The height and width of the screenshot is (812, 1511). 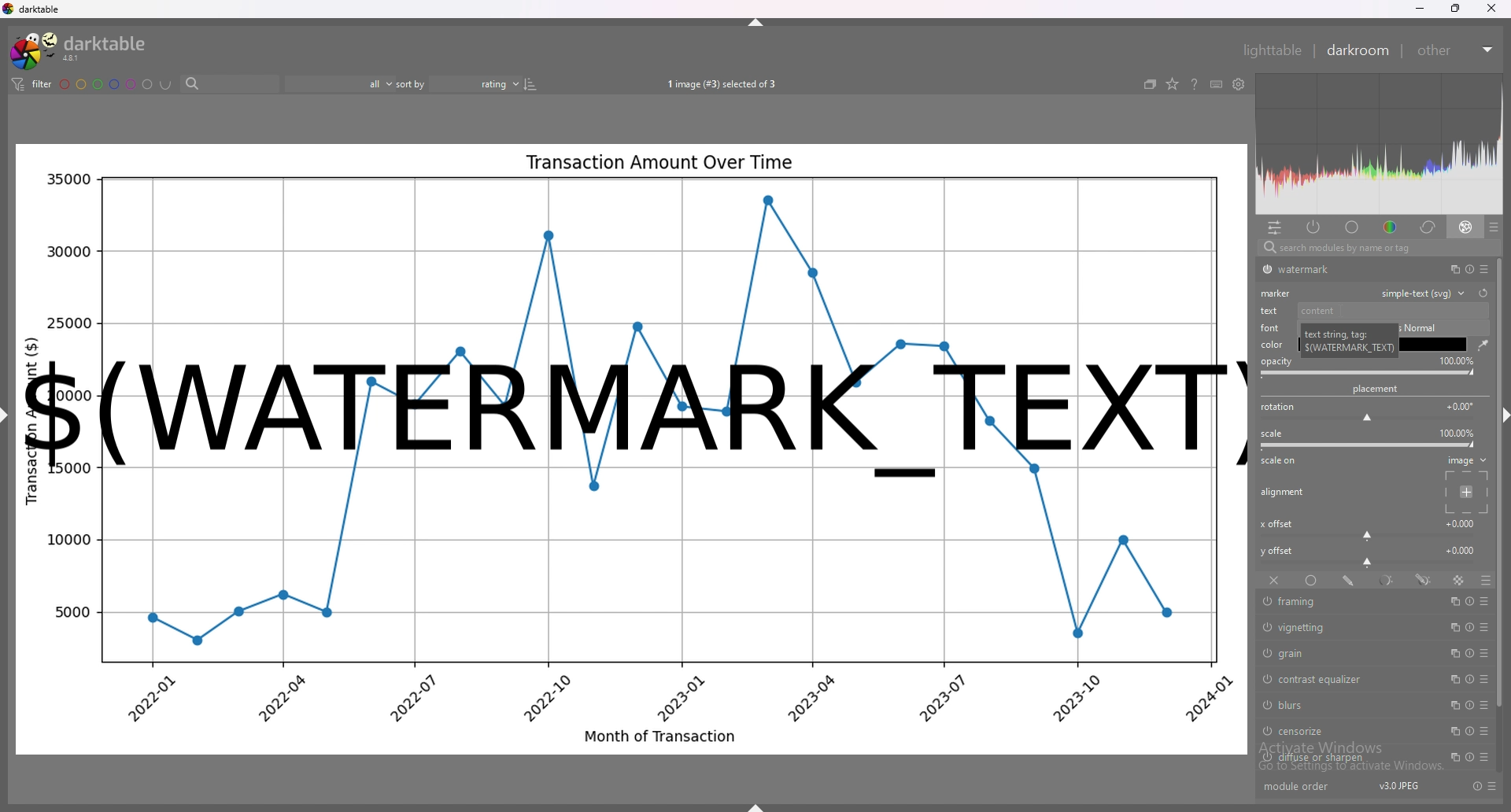 What do you see at coordinates (1342, 652) in the screenshot?
I see `grain` at bounding box center [1342, 652].